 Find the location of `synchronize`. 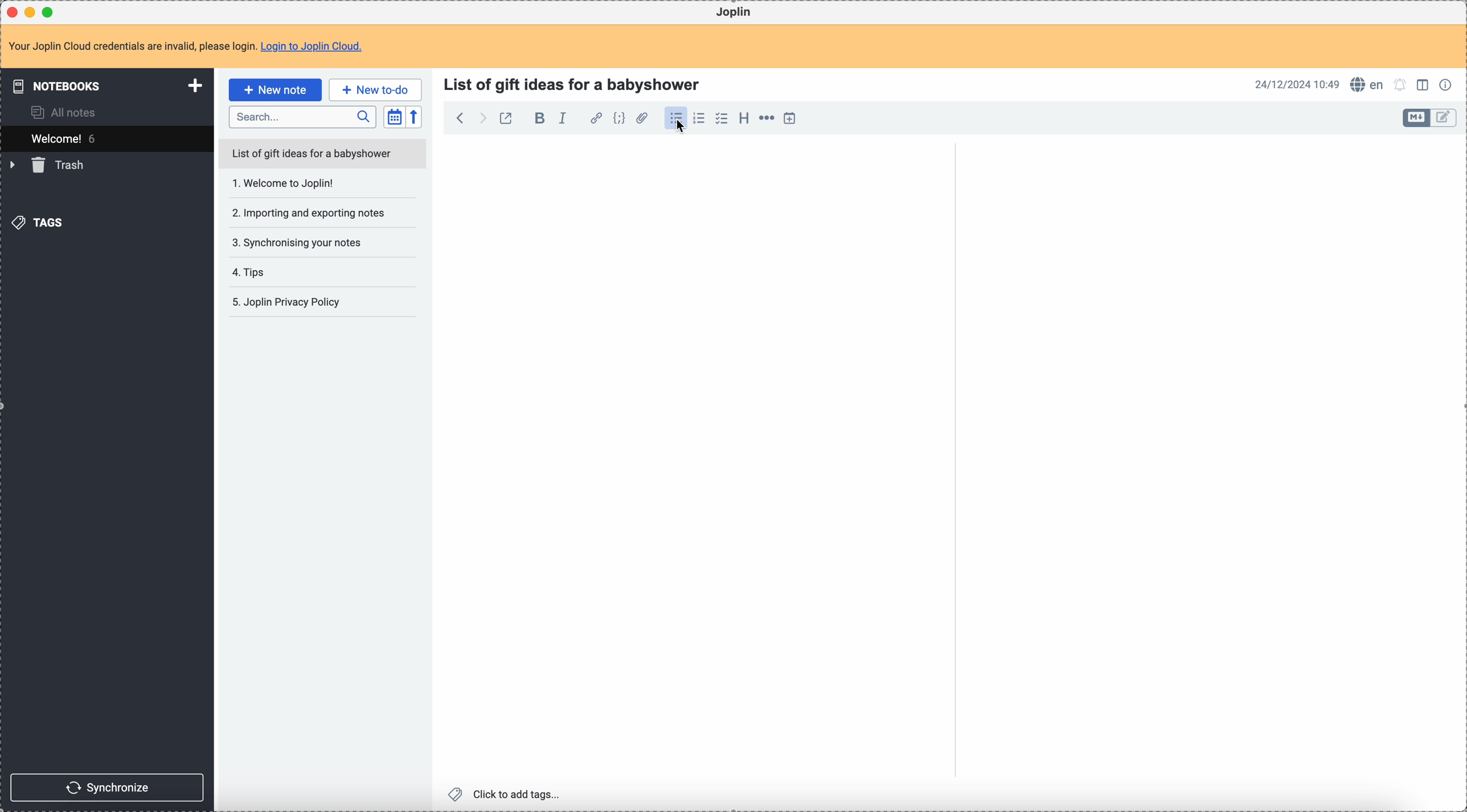

synchronize is located at coordinates (109, 786).